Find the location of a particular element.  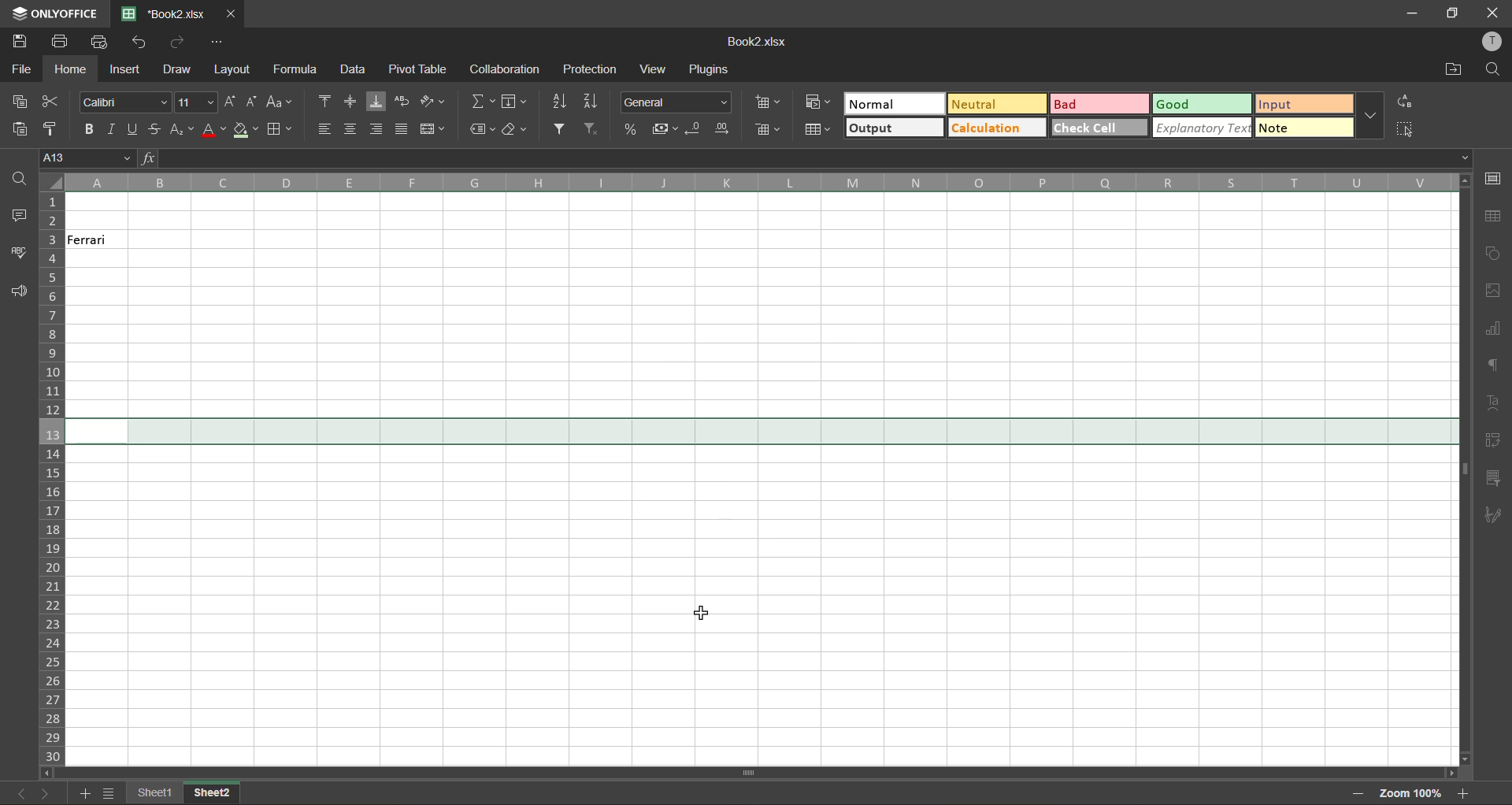

justified is located at coordinates (402, 128).